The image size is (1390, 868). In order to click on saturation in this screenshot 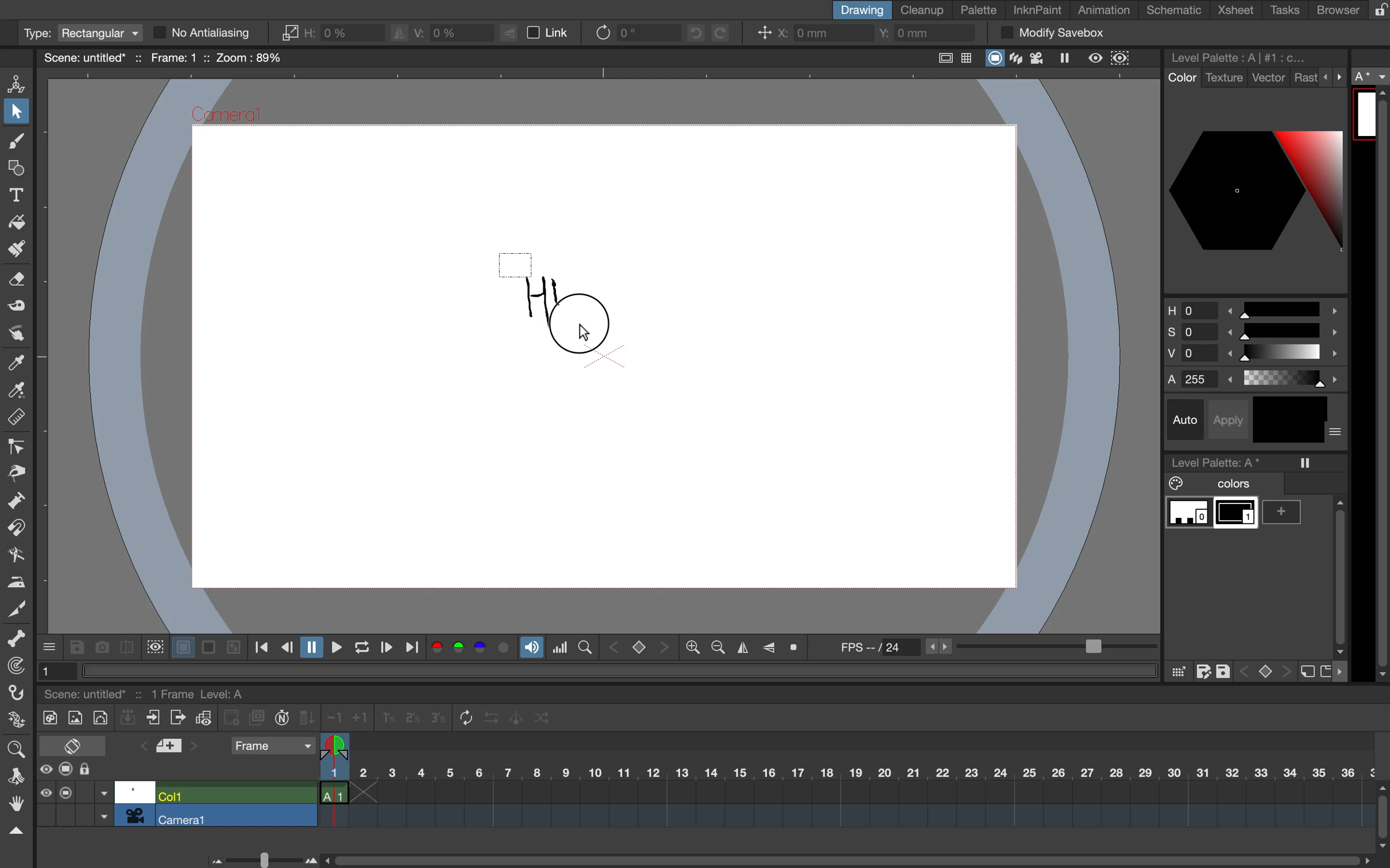, I will do `click(1253, 334)`.